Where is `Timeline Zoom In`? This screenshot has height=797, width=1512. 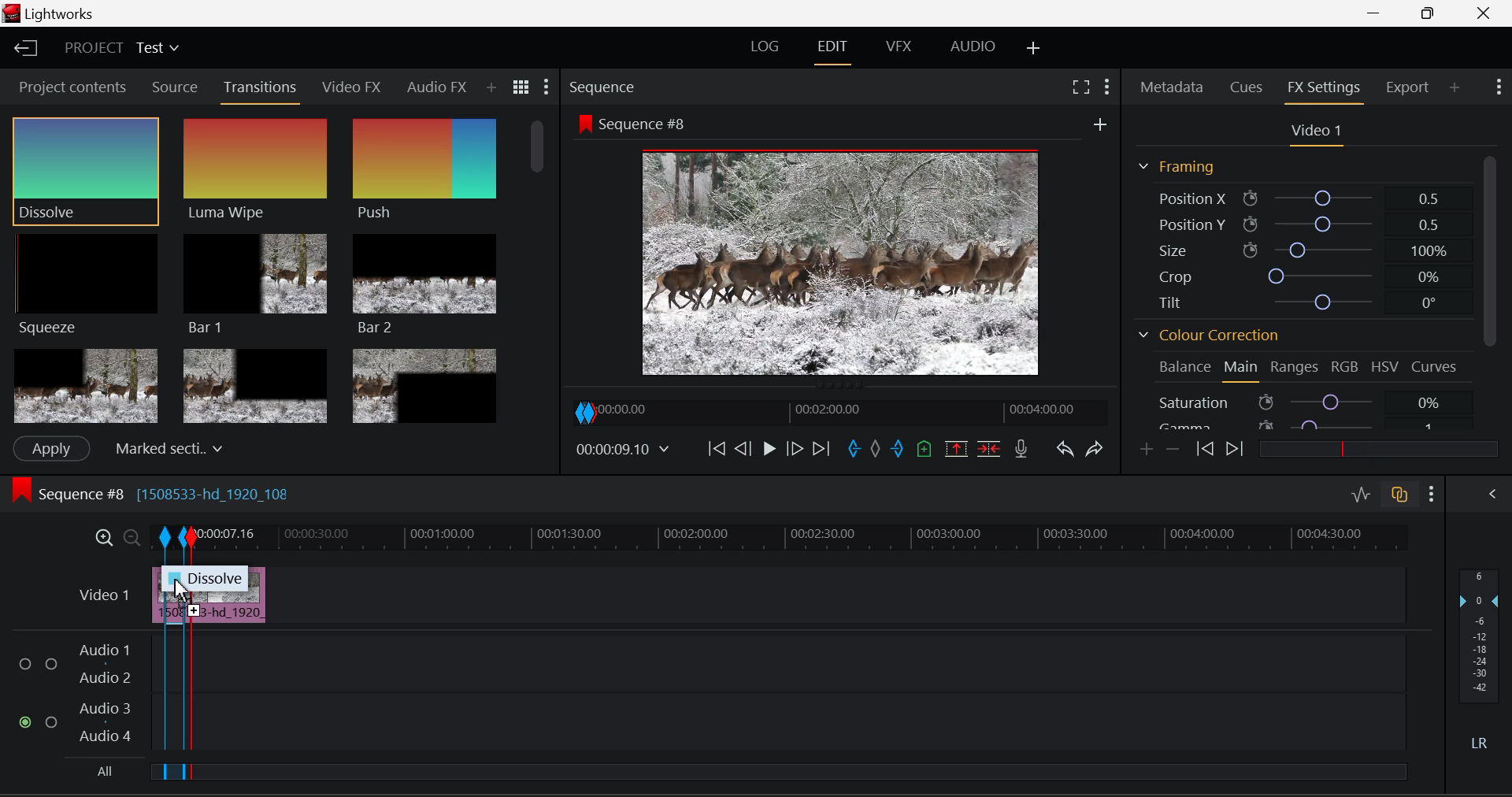 Timeline Zoom In is located at coordinates (104, 537).